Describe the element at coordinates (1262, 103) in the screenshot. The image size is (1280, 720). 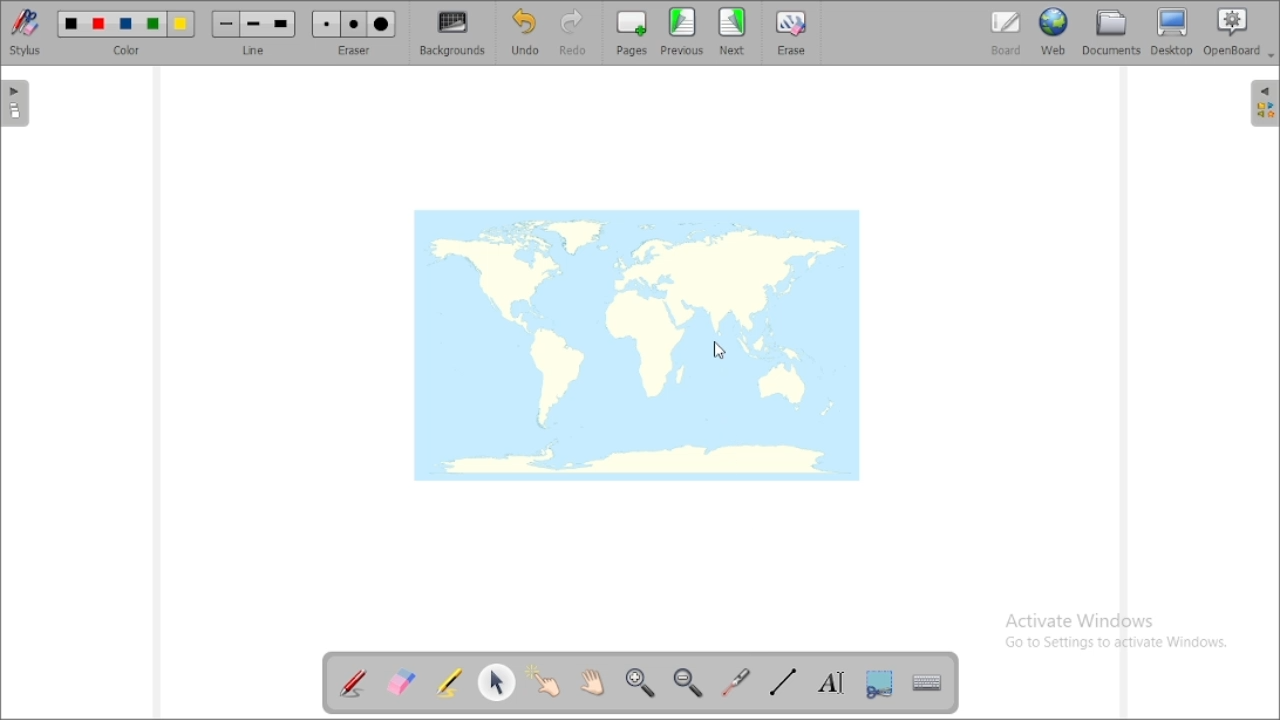
I see `sidebar settings` at that location.